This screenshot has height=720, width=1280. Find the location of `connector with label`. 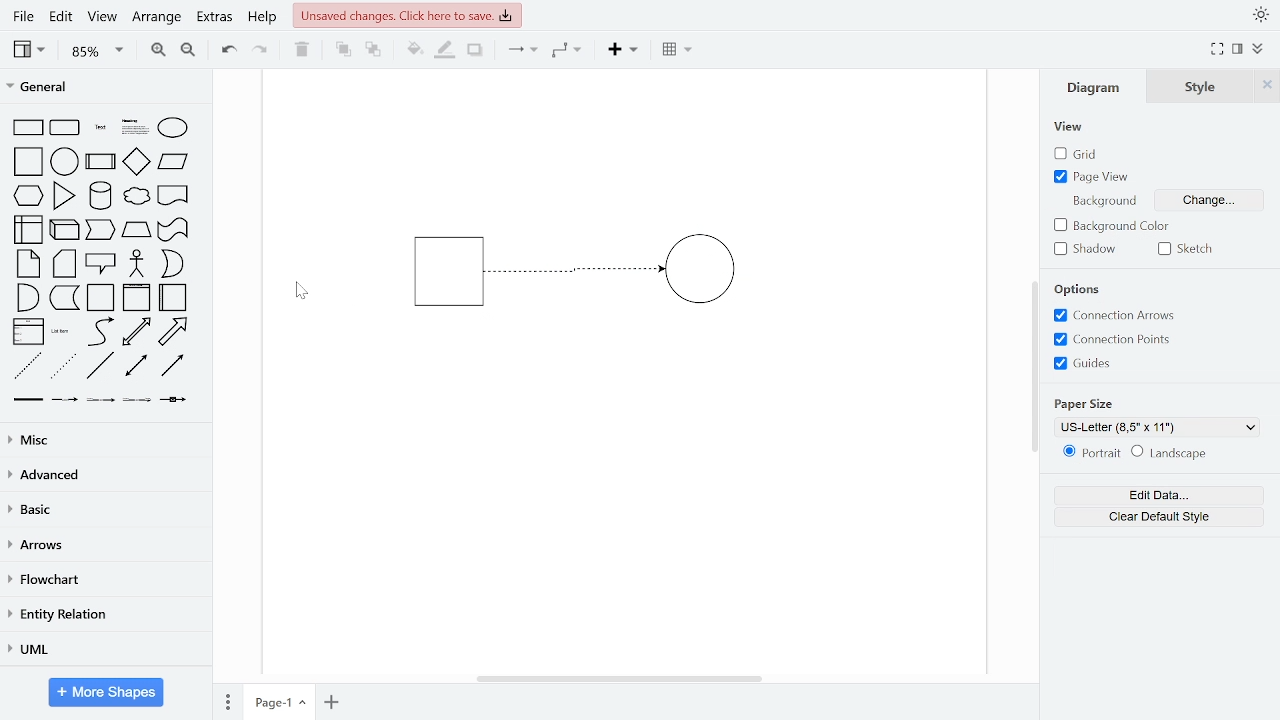

connector with label is located at coordinates (65, 400).